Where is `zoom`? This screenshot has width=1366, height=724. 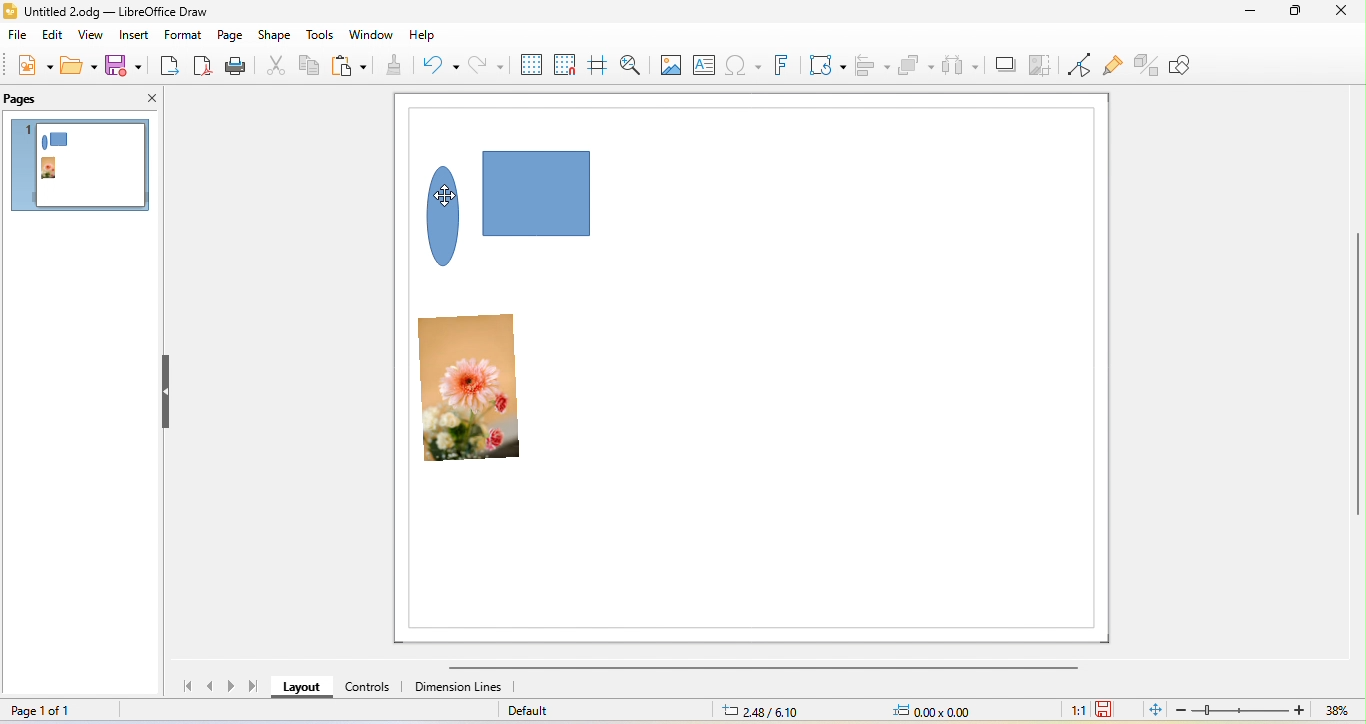
zoom is located at coordinates (1265, 711).